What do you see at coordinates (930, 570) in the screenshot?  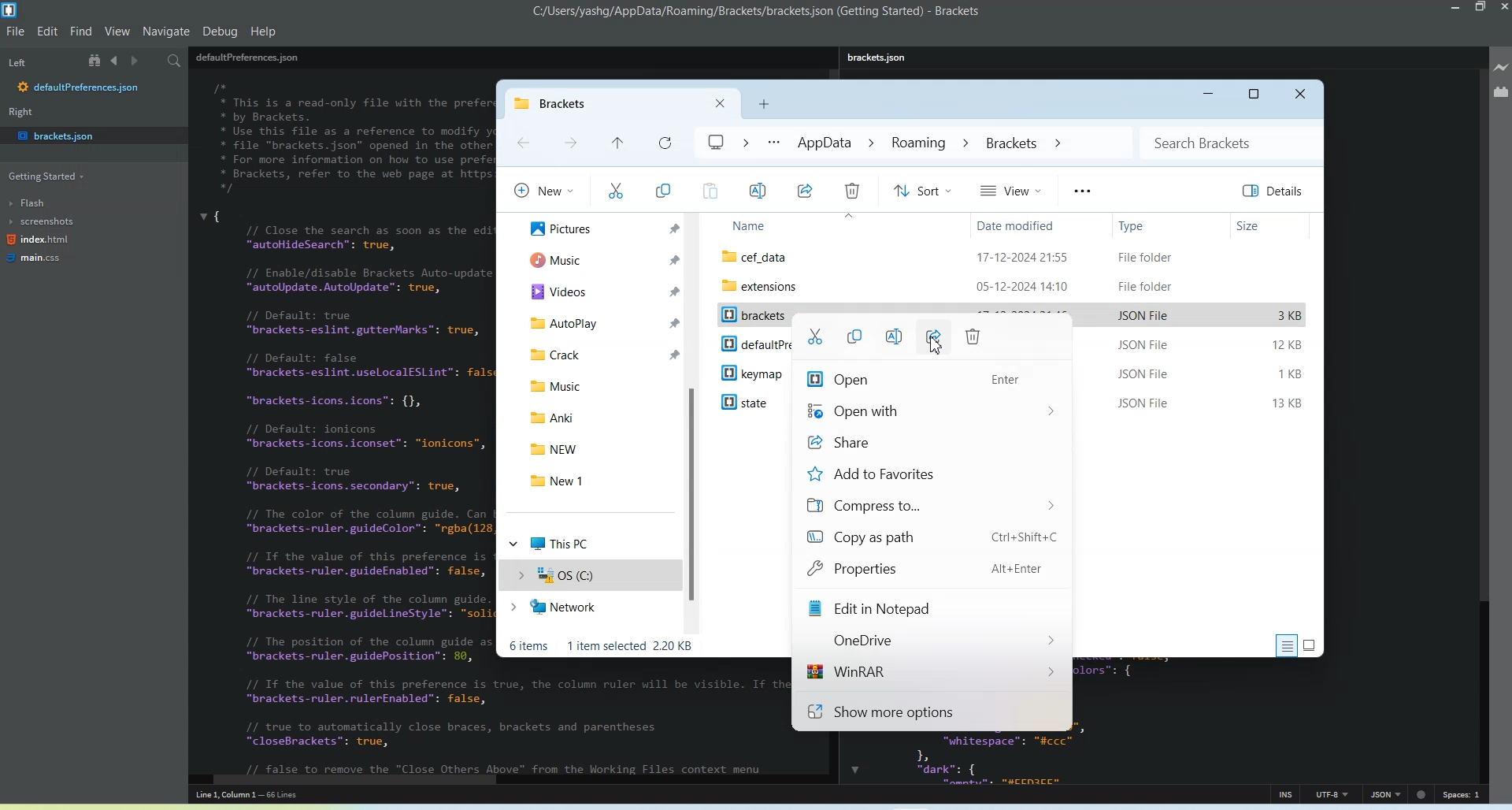 I see `Properties` at bounding box center [930, 570].